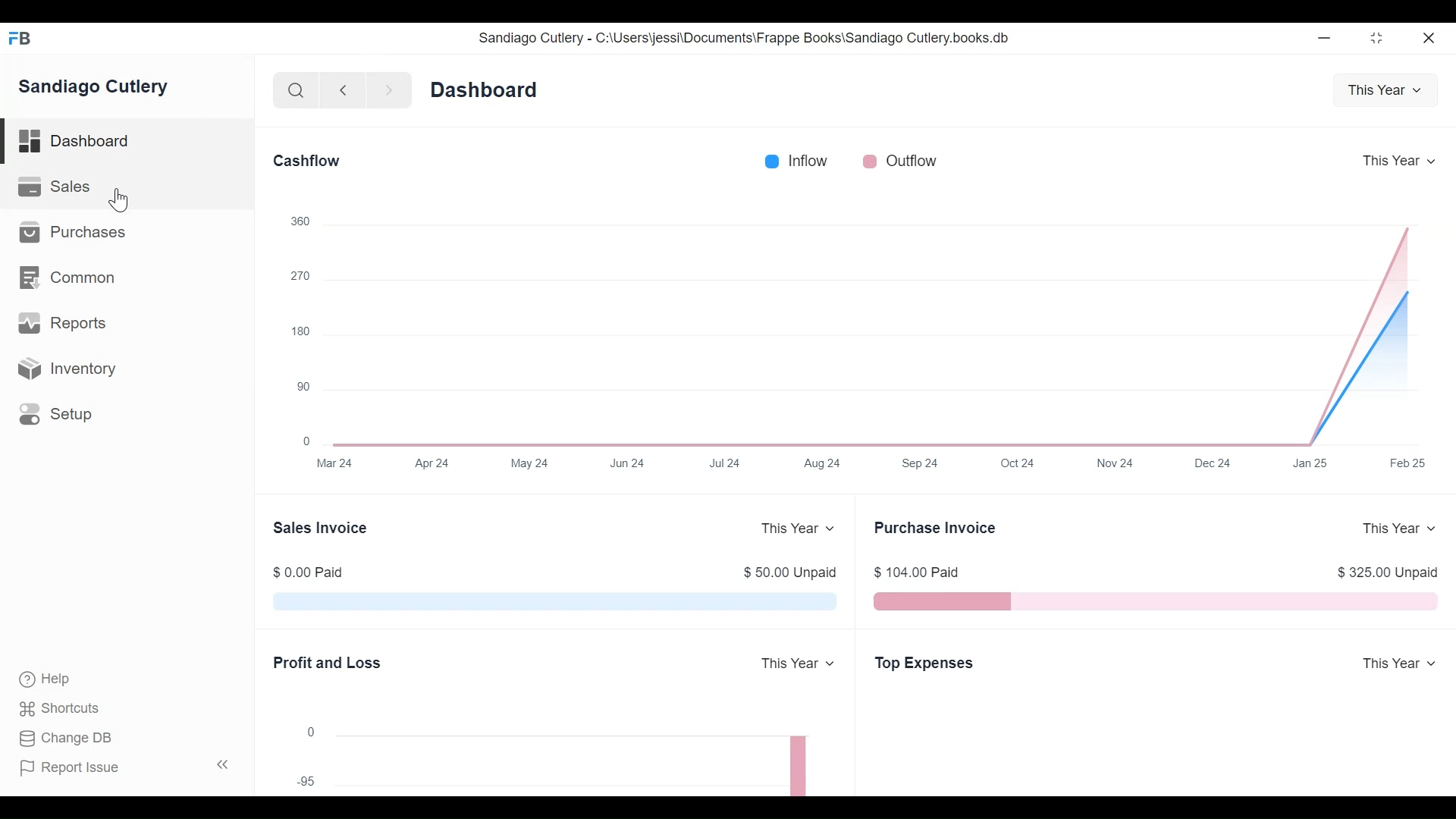  Describe the element at coordinates (724, 463) in the screenshot. I see `Jul 24` at that location.